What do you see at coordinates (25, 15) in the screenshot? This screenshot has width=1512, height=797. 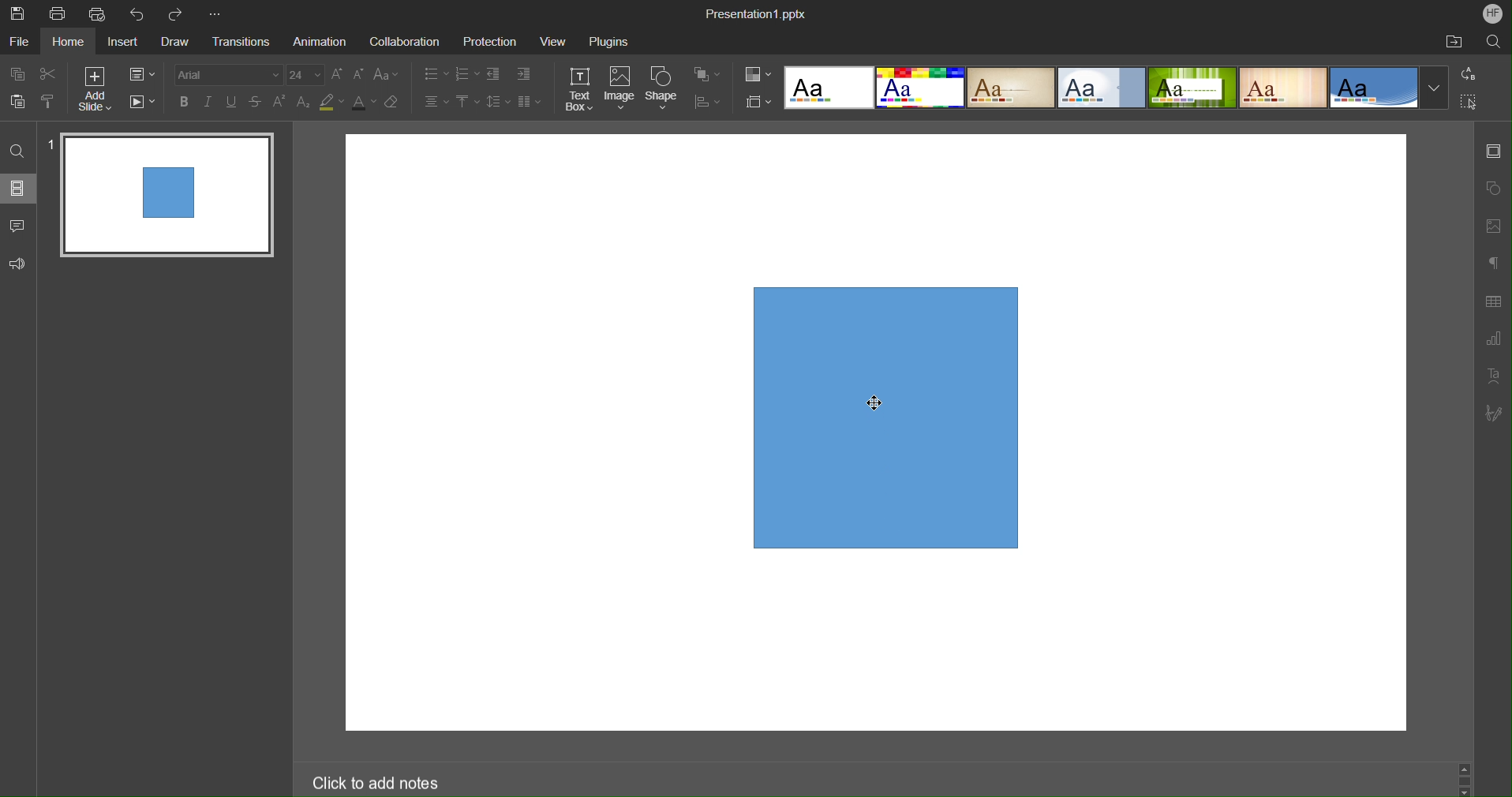 I see `Save` at bounding box center [25, 15].